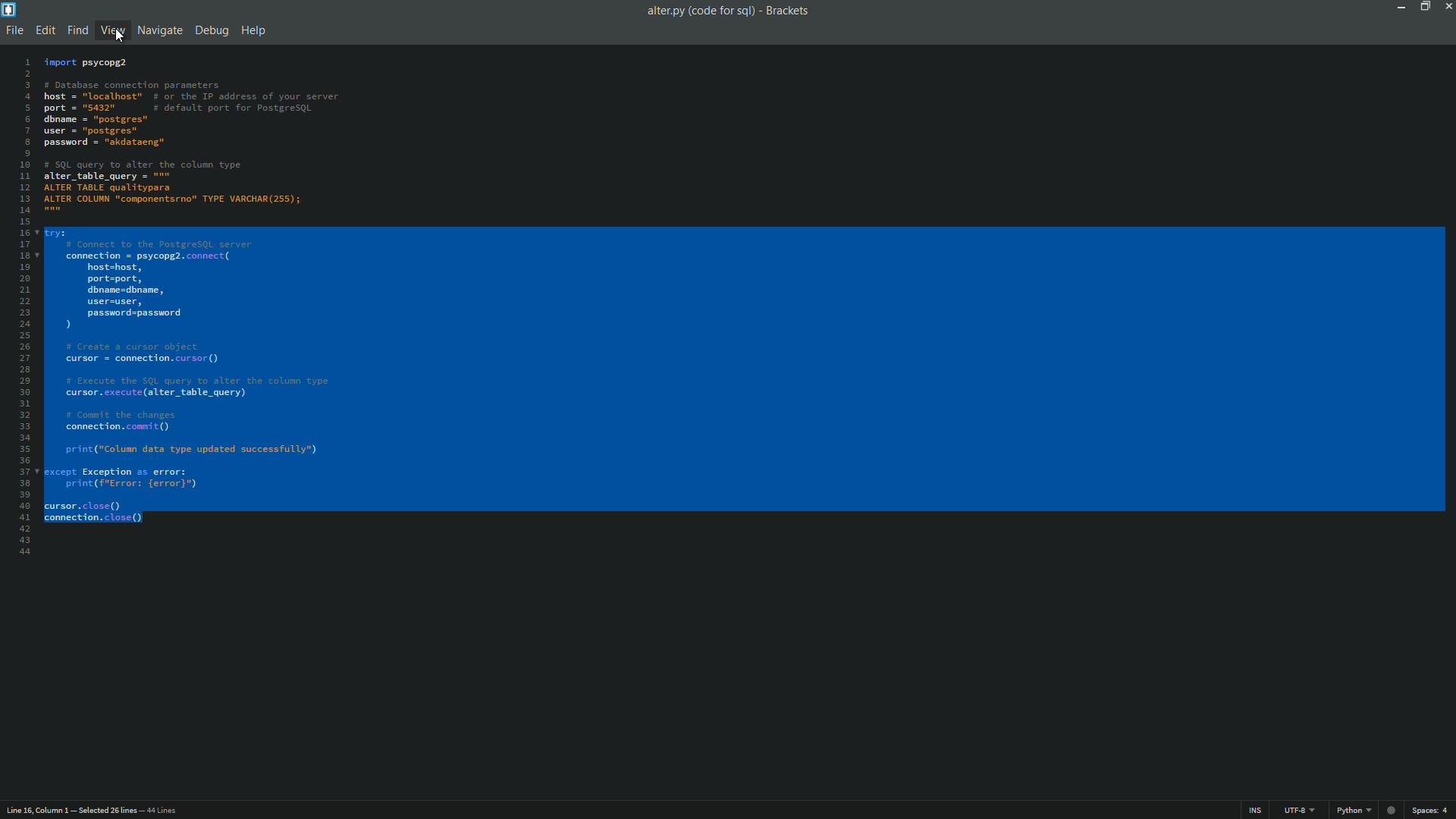 The image size is (1456, 819). What do you see at coordinates (22, 306) in the screenshot?
I see `line numbers` at bounding box center [22, 306].